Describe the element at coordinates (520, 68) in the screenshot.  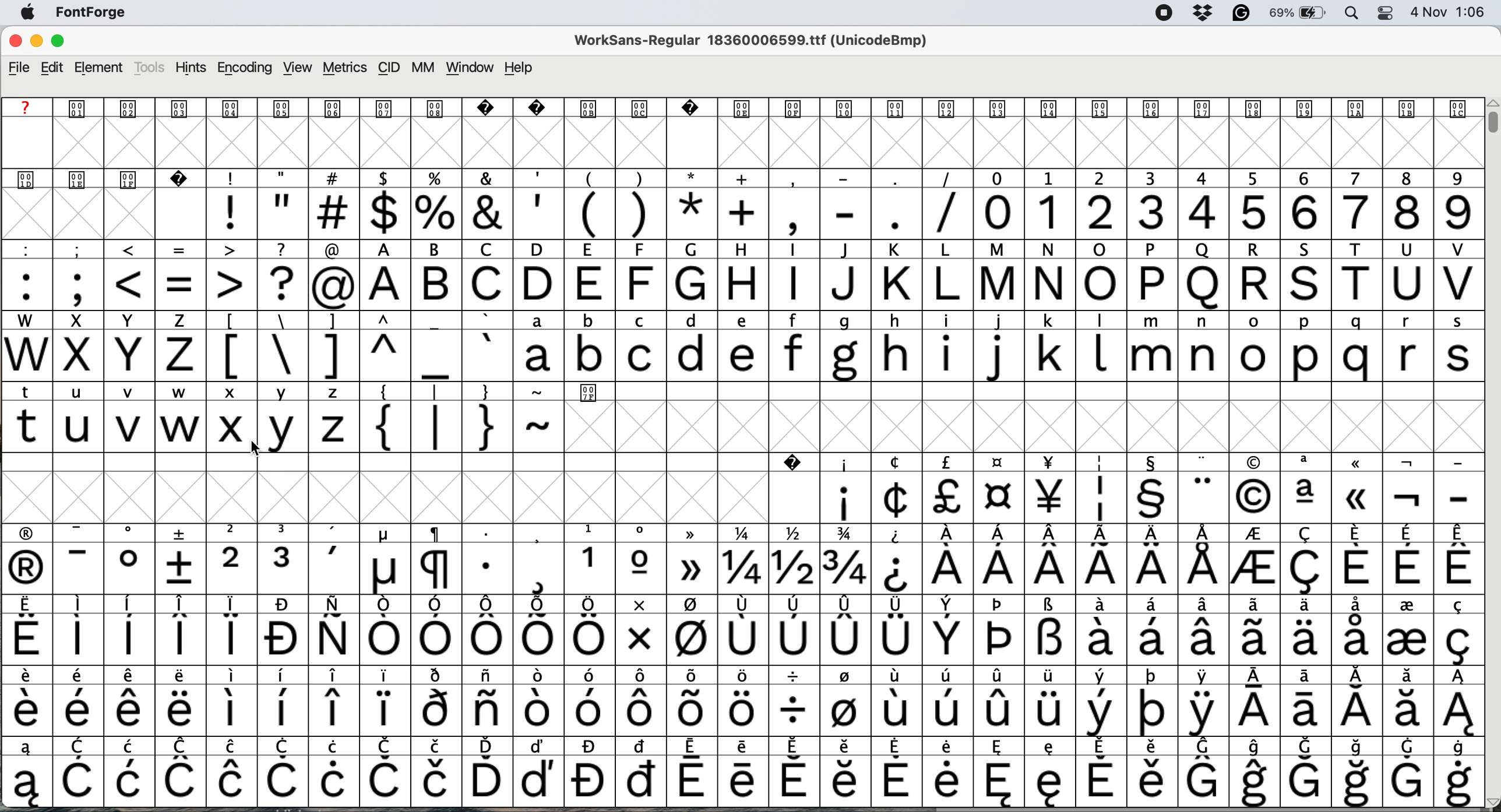
I see `help` at that location.